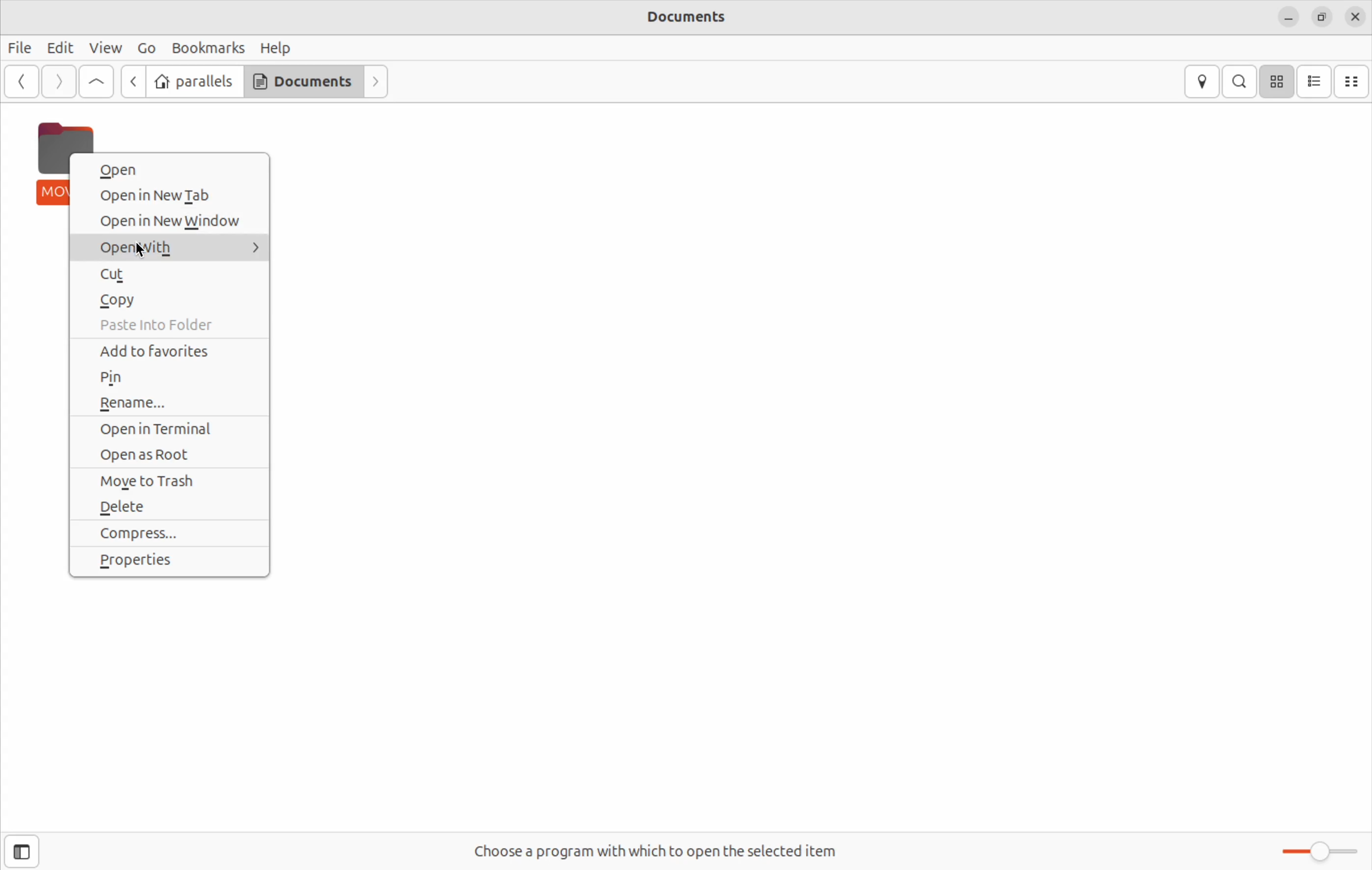  Describe the element at coordinates (106, 48) in the screenshot. I see `View` at that location.